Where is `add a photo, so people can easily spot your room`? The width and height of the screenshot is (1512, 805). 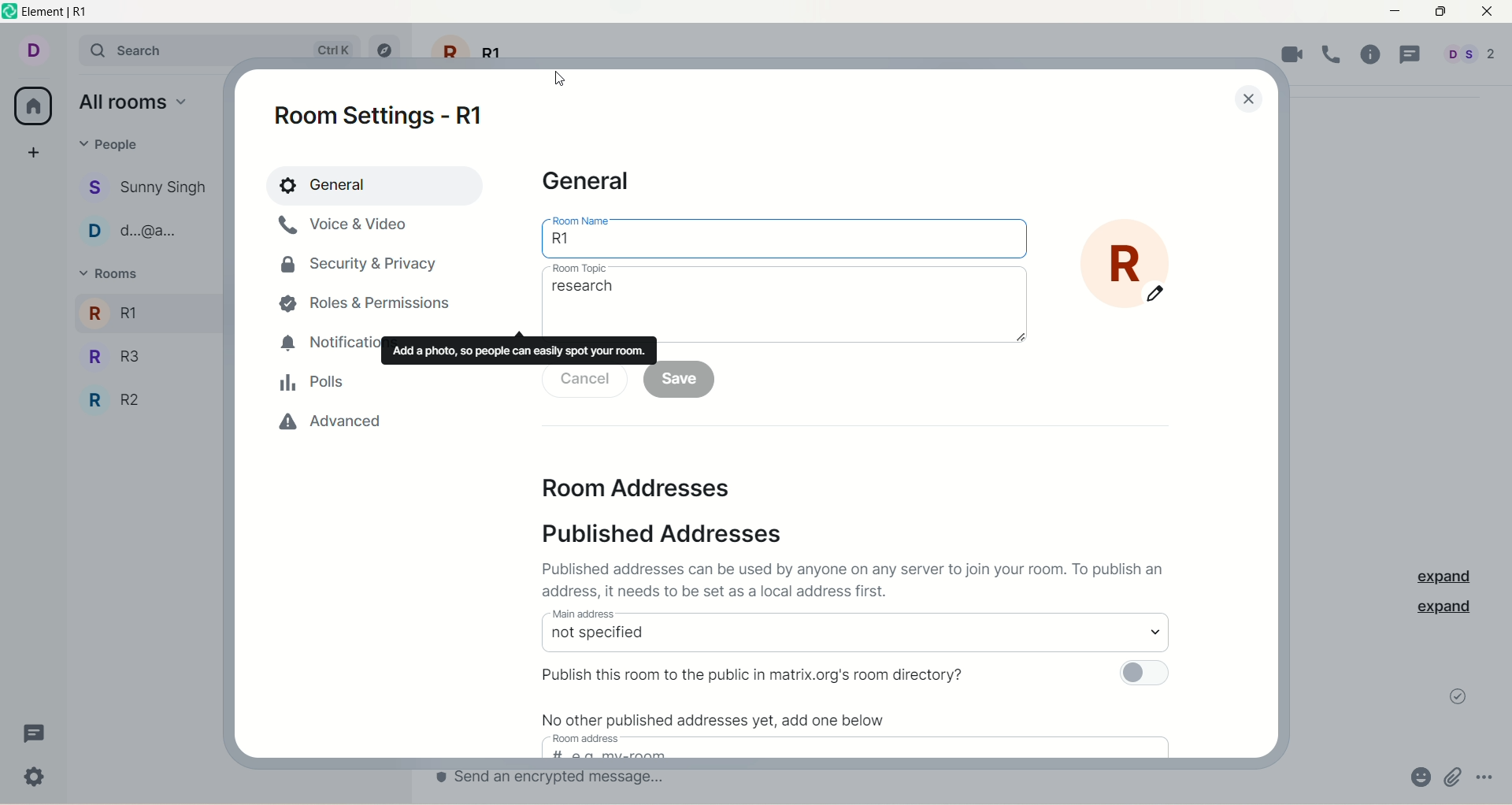 add a photo, so people can easily spot your room is located at coordinates (519, 351).